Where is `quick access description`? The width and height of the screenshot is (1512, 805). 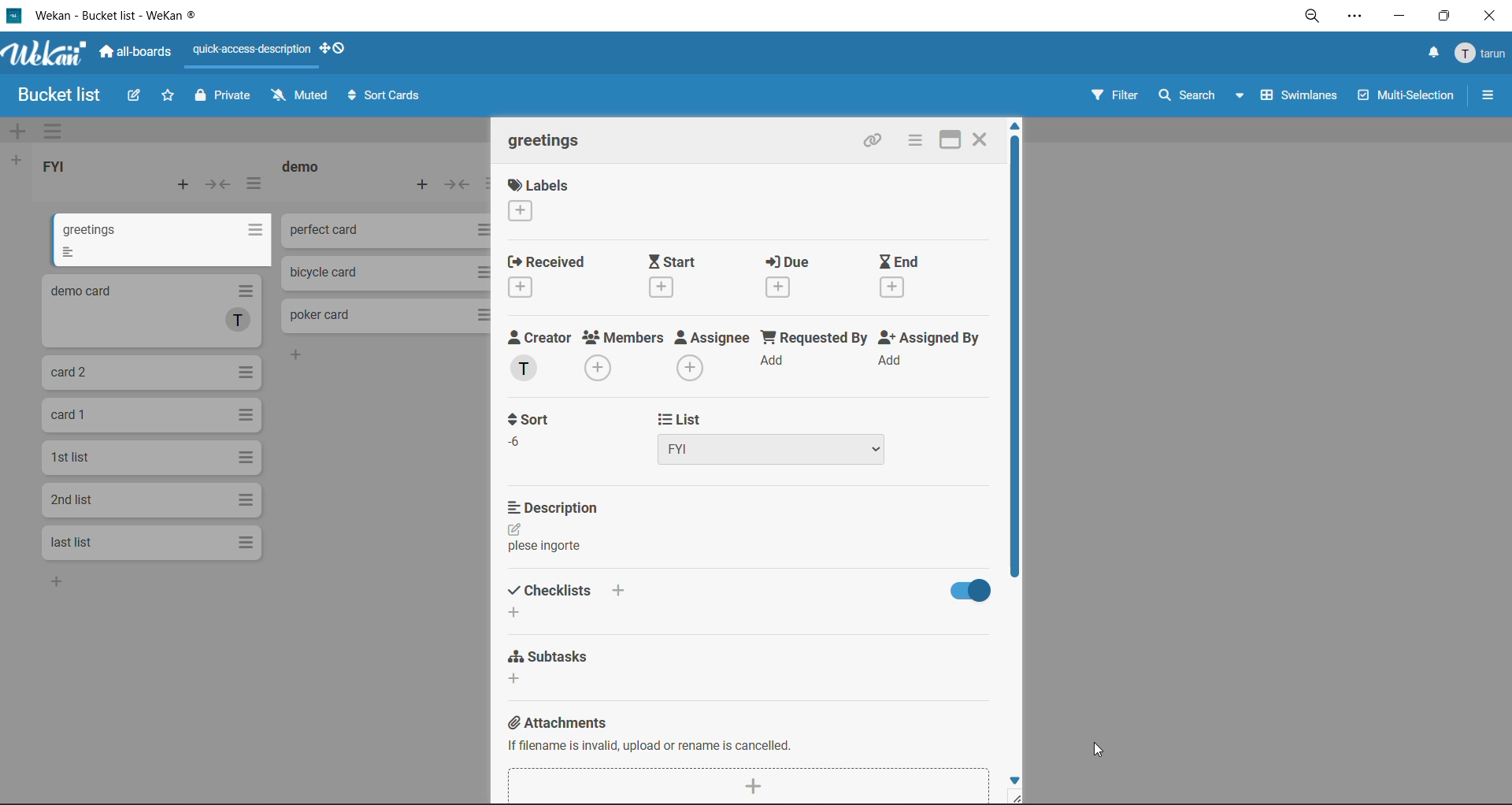 quick access description is located at coordinates (248, 56).